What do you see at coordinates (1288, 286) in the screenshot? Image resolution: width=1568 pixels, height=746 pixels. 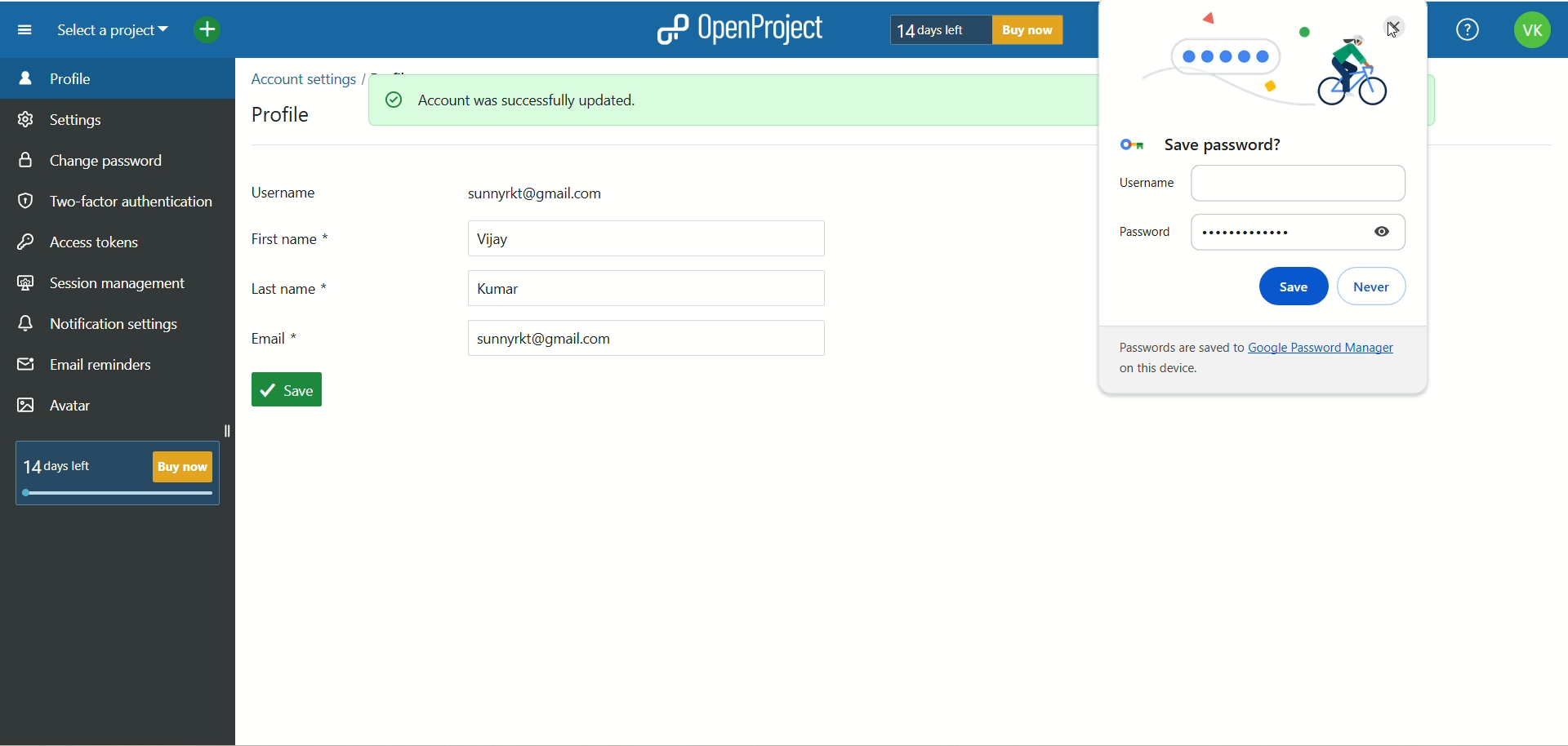 I see `save` at bounding box center [1288, 286].